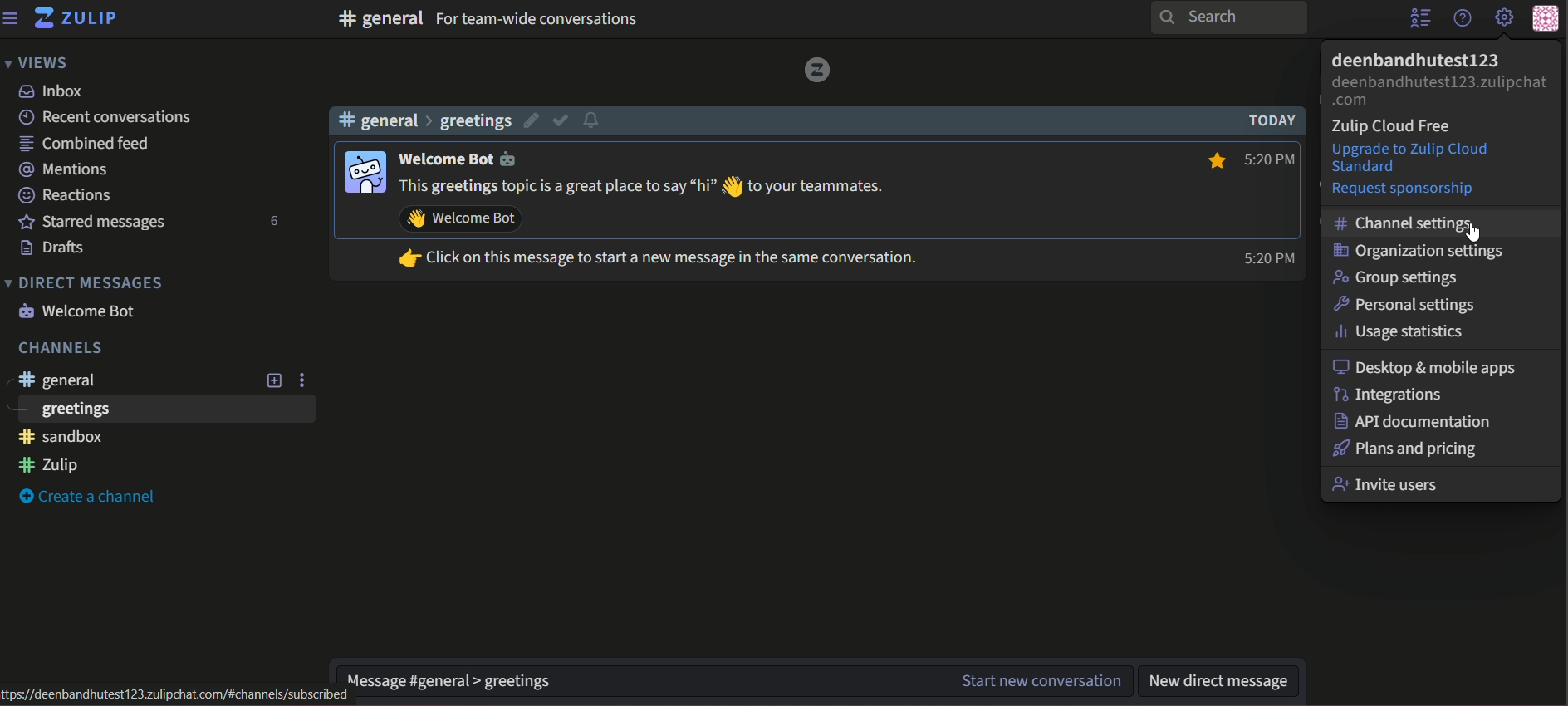 The image size is (1568, 706). Describe the element at coordinates (276, 222) in the screenshot. I see `number of starred messages` at that location.